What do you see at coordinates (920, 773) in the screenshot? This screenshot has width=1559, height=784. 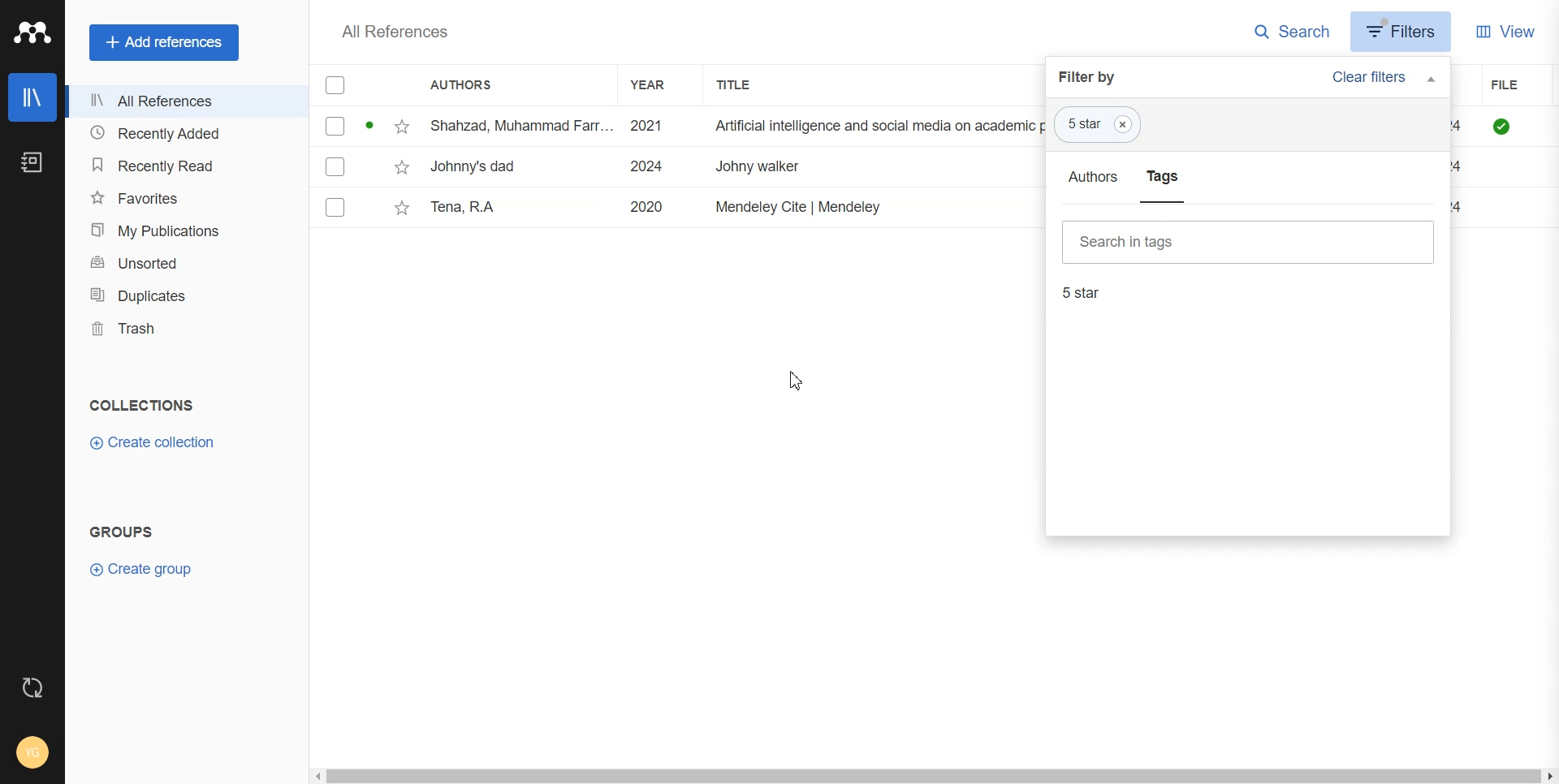 I see `Horizontal scroll bar` at bounding box center [920, 773].